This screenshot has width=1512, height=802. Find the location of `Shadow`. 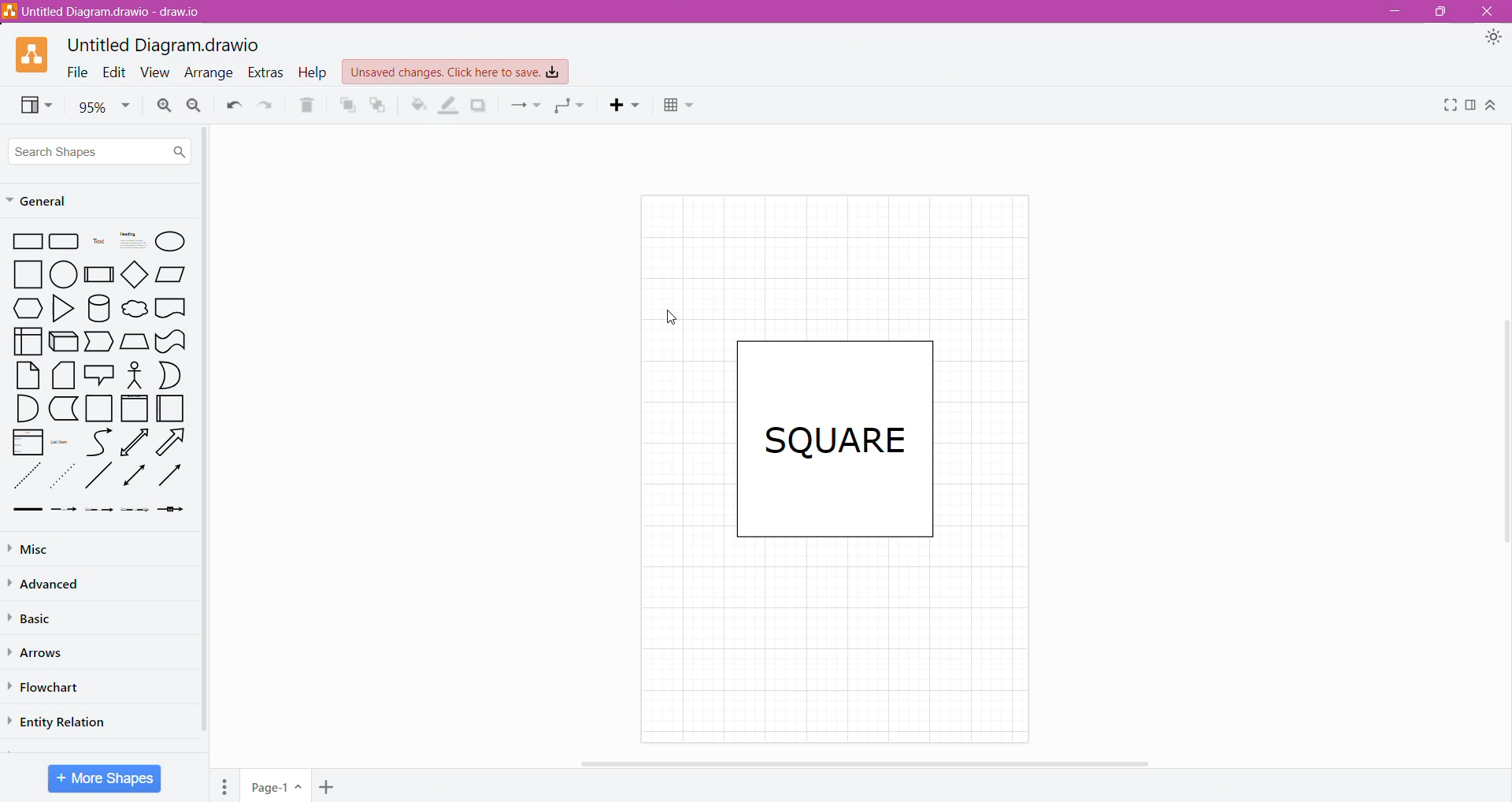

Shadow is located at coordinates (482, 105).